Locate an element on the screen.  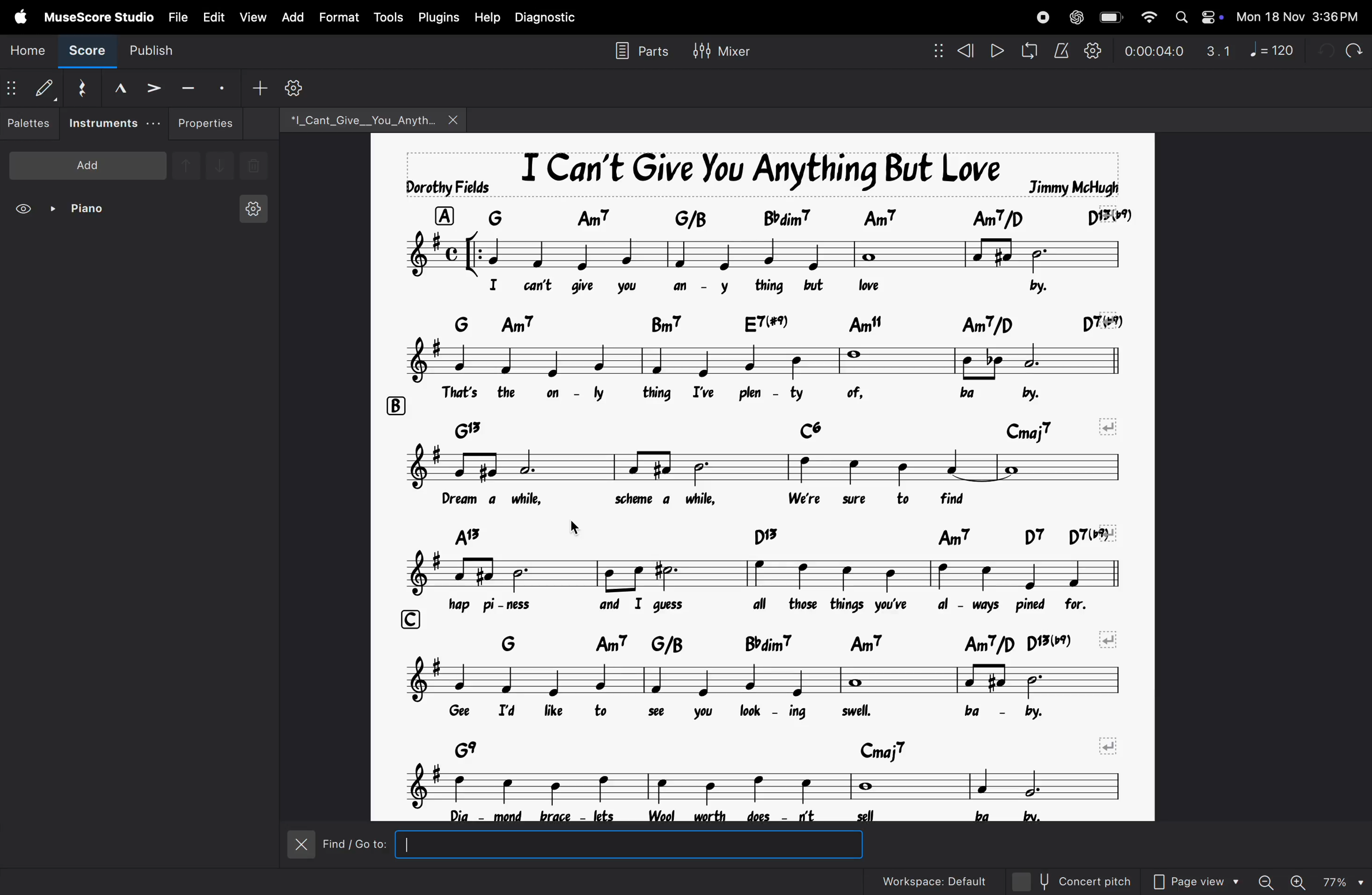
mixer is located at coordinates (720, 49).